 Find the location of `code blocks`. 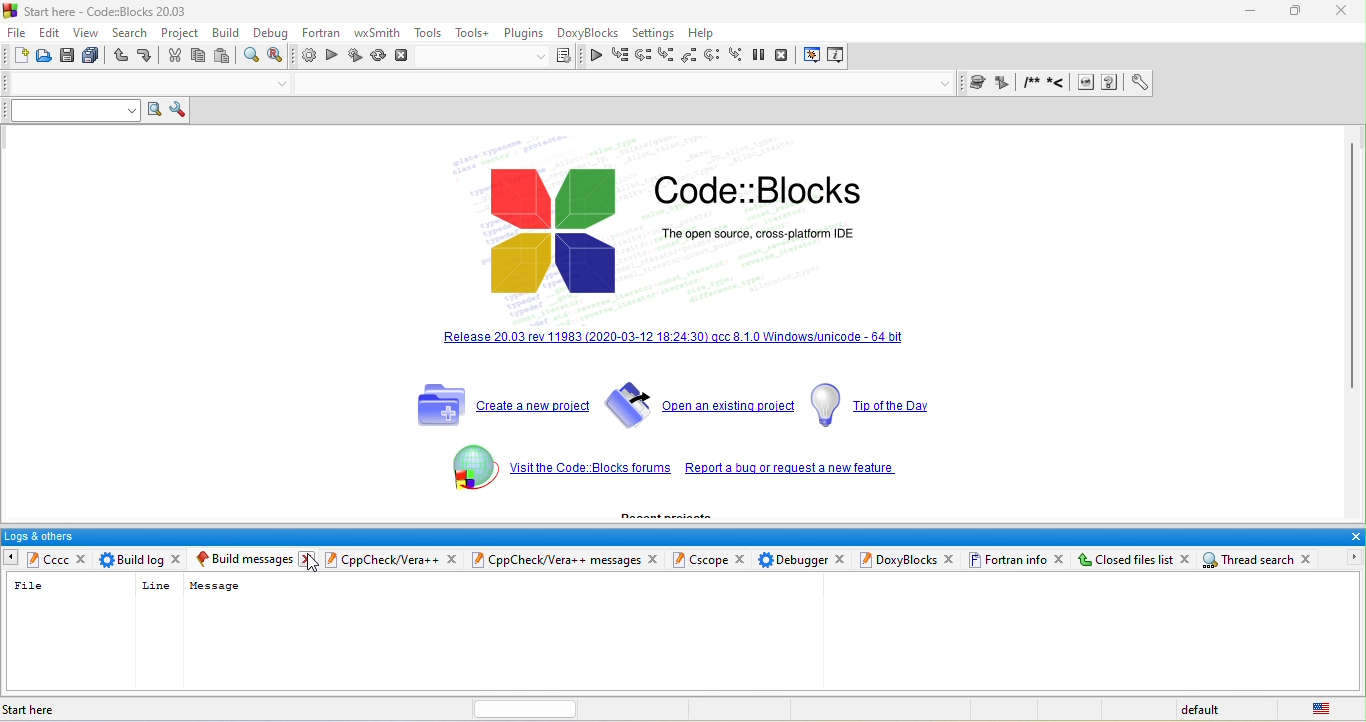

code blocks is located at coordinates (551, 232).